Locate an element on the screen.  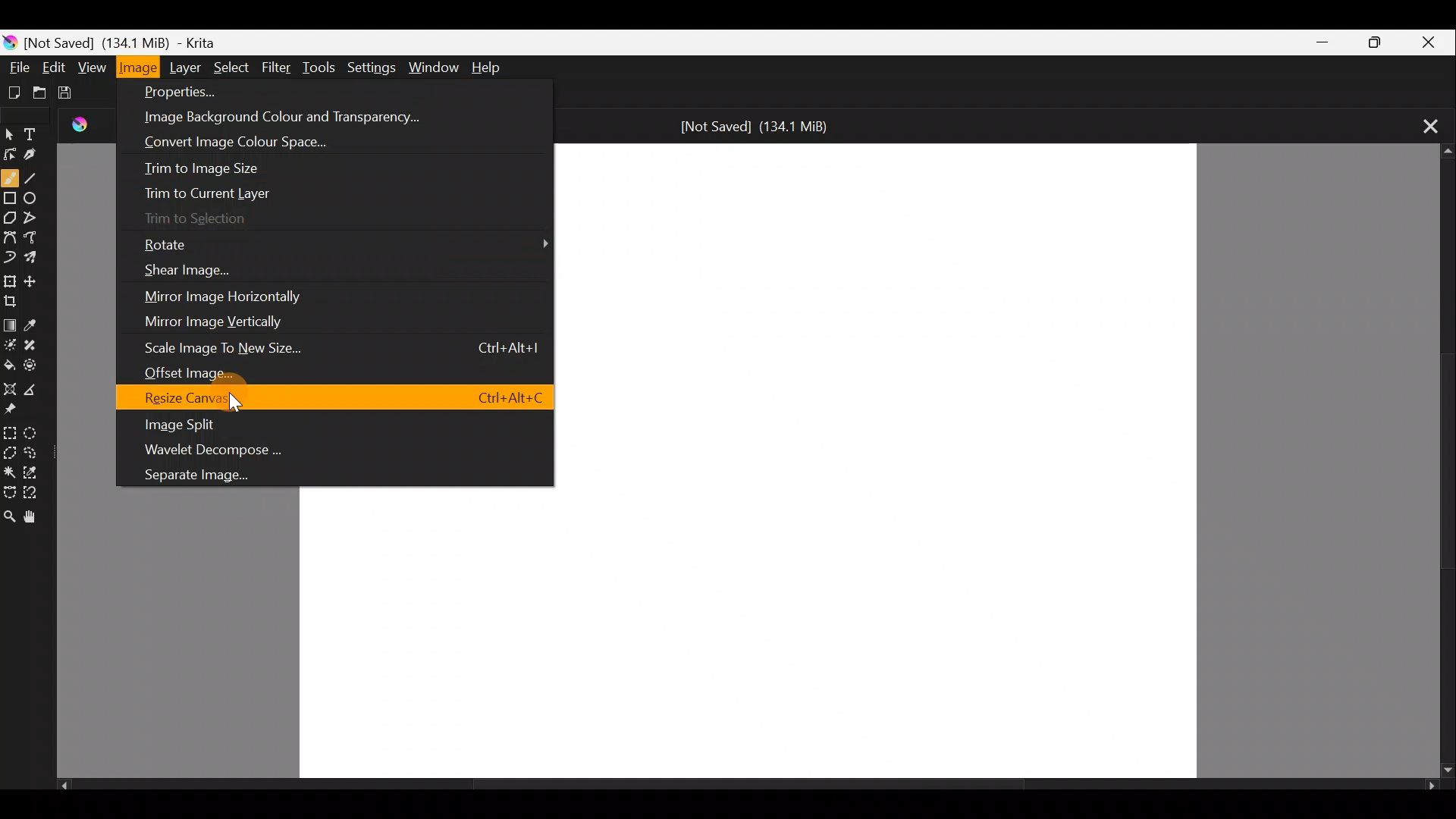
Scale image to new size is located at coordinates (341, 347).